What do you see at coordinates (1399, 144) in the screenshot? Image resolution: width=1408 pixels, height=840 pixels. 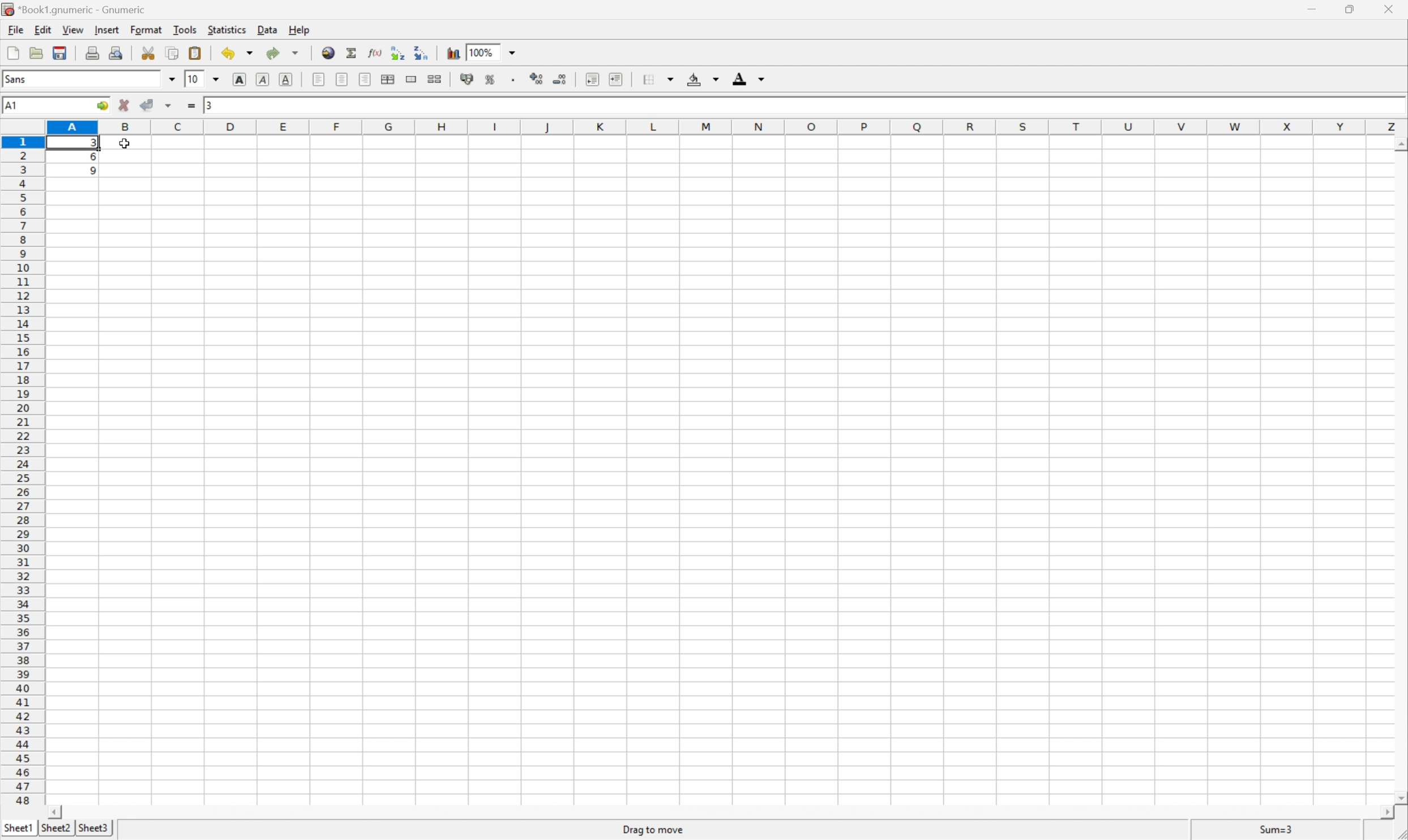 I see `Scroll Up` at bounding box center [1399, 144].